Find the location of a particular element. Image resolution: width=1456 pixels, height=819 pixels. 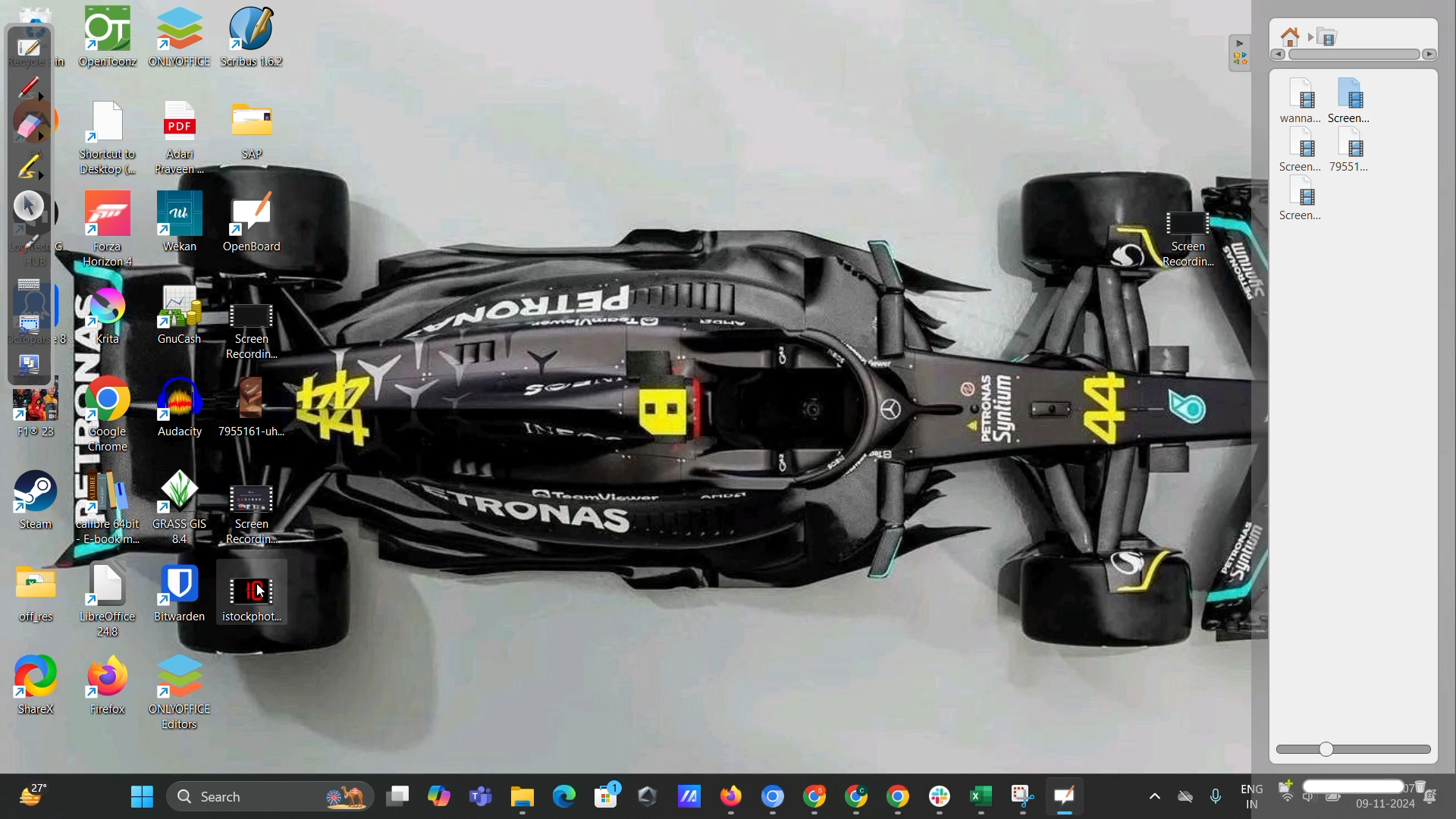

Onlyoffice editors is located at coordinates (186, 692).